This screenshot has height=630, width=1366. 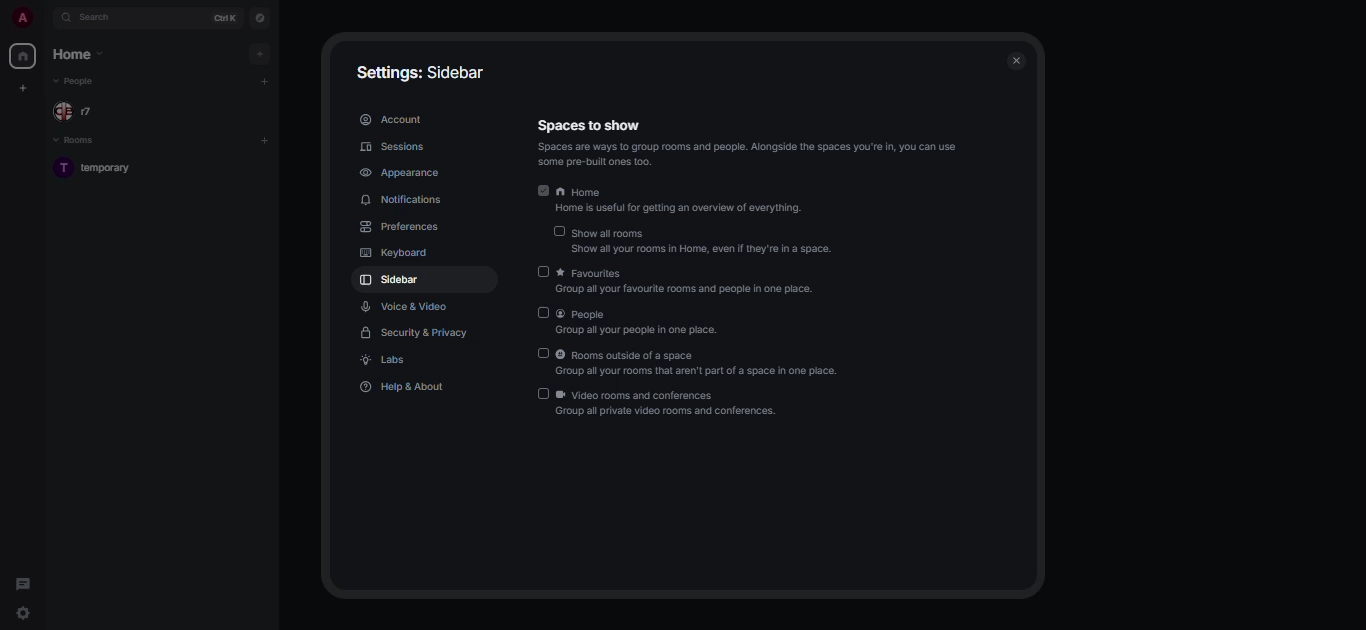 What do you see at coordinates (264, 80) in the screenshot?
I see `add` at bounding box center [264, 80].